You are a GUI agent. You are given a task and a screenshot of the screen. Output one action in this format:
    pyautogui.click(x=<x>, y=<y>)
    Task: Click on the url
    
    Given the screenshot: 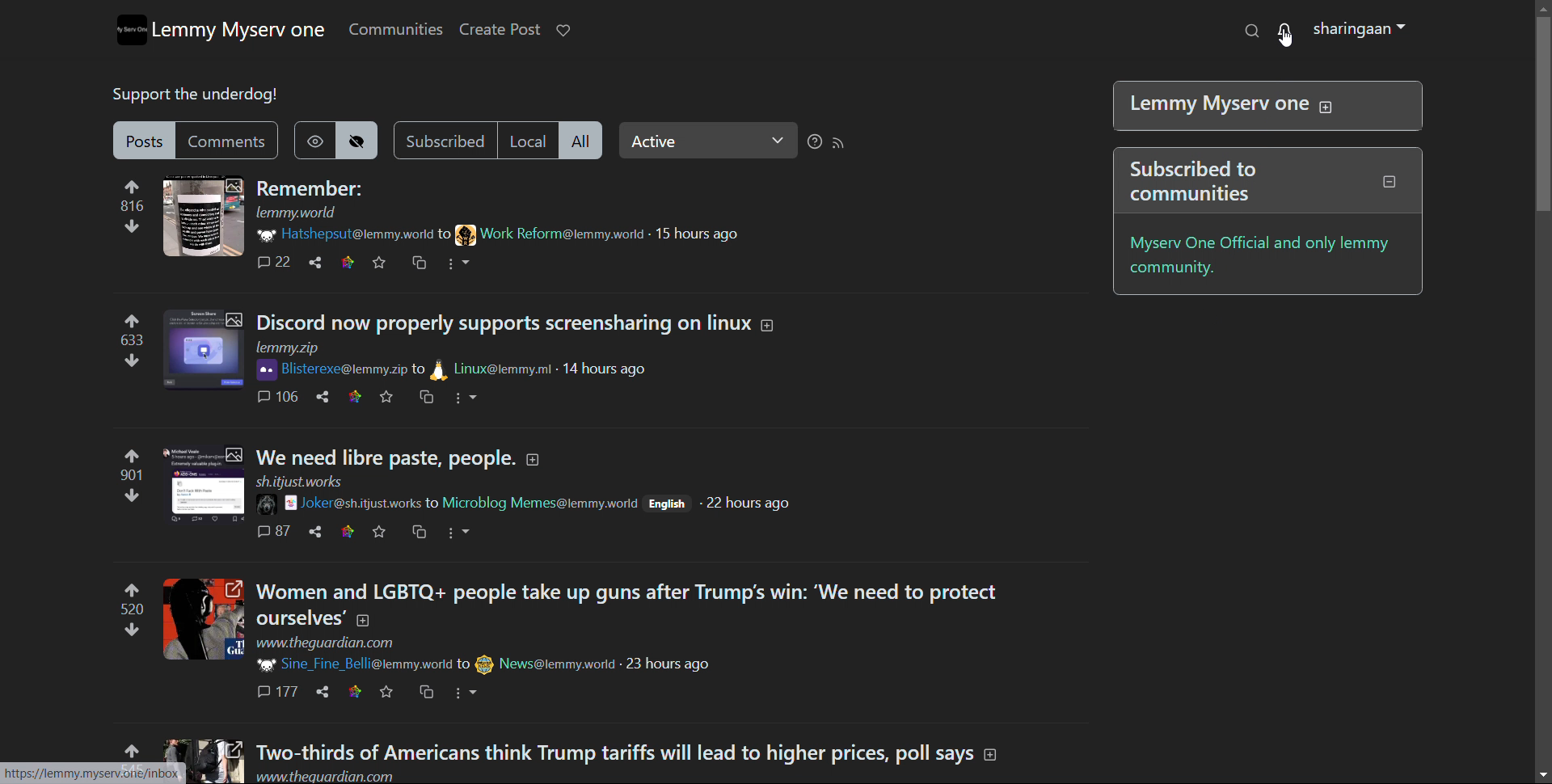 What is the action you would take?
    pyautogui.click(x=289, y=348)
    